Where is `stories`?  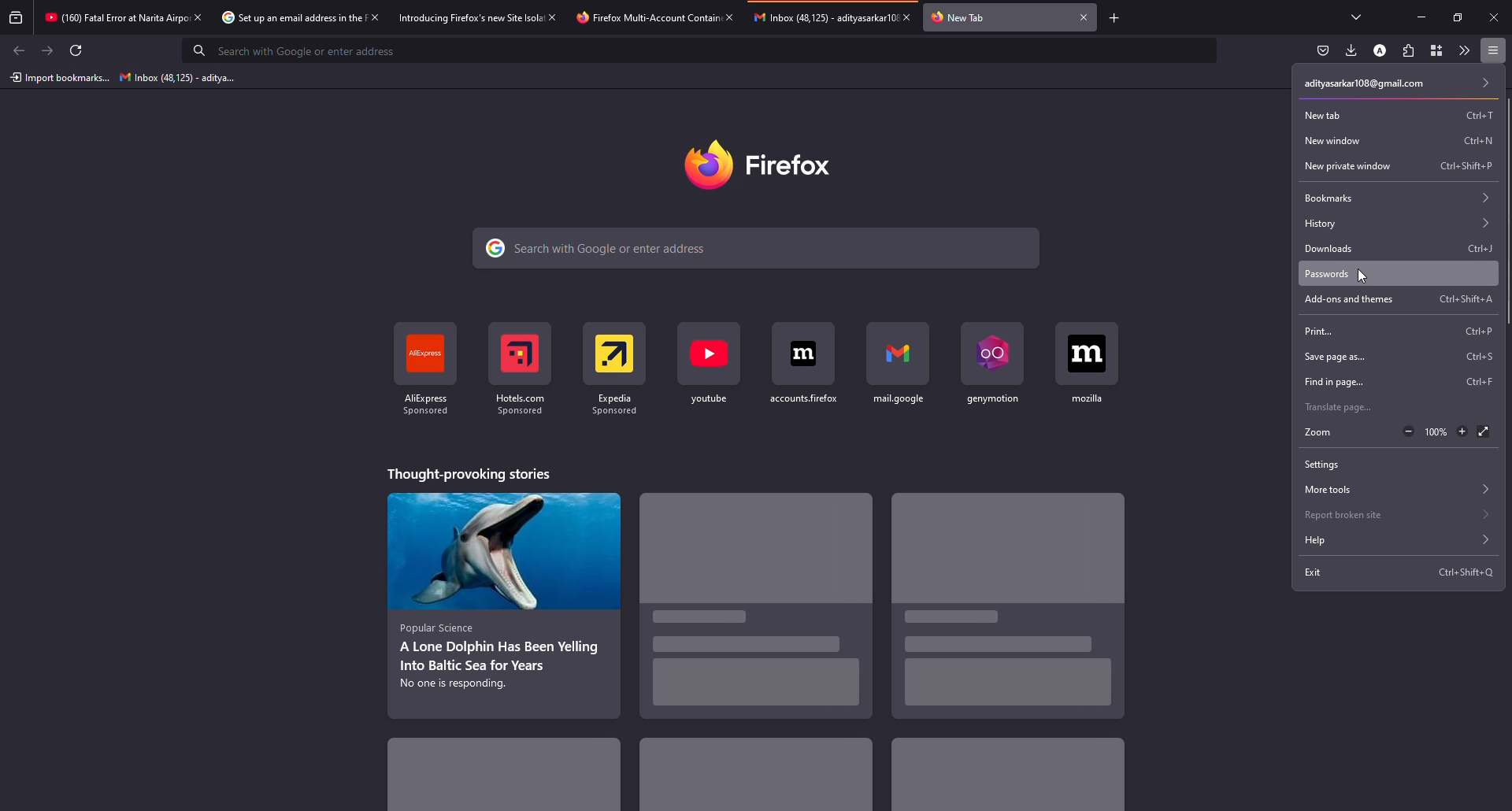 stories is located at coordinates (468, 473).